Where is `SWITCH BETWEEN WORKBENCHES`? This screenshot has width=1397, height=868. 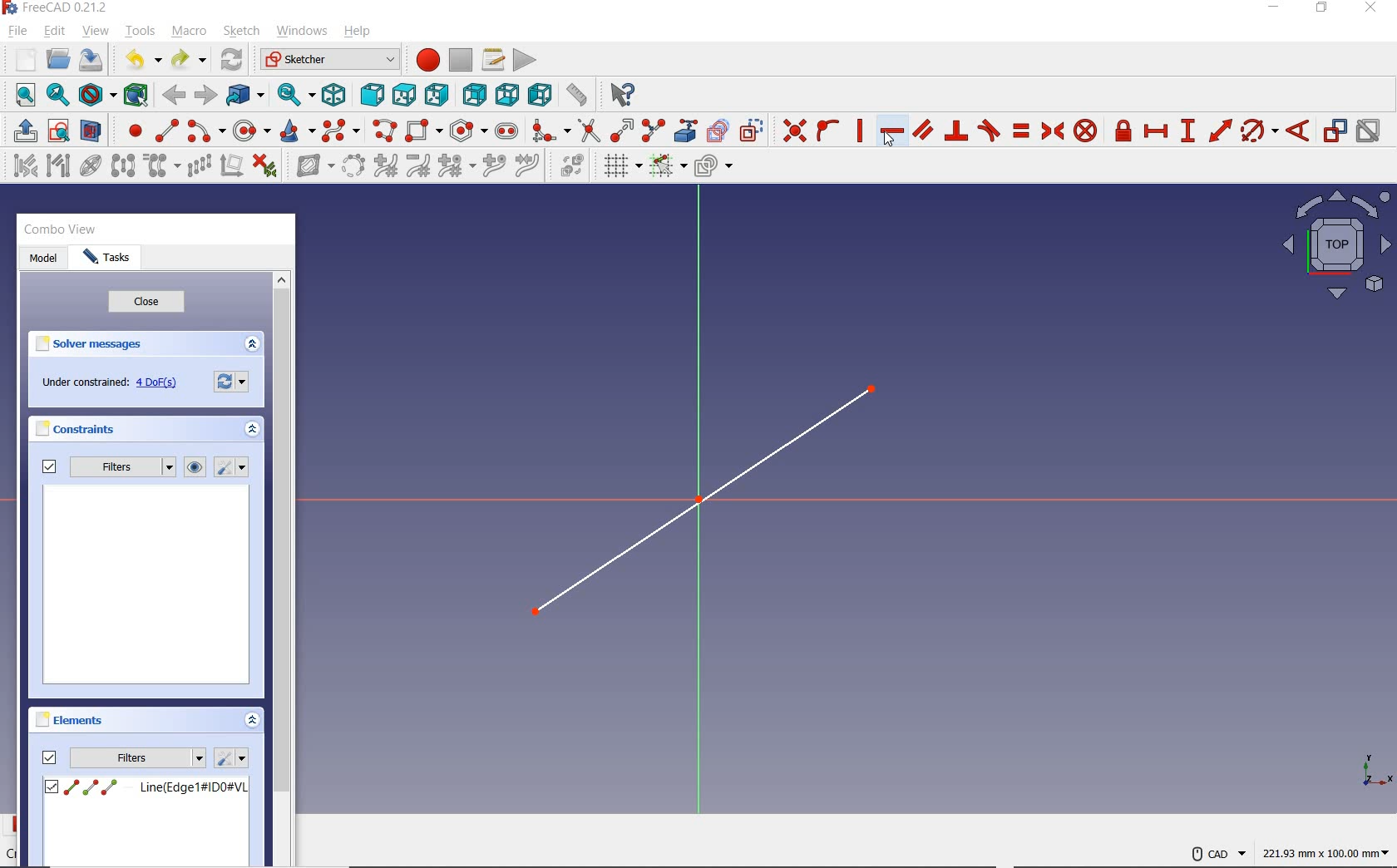 SWITCH BETWEEN WORKBENCHES is located at coordinates (330, 59).